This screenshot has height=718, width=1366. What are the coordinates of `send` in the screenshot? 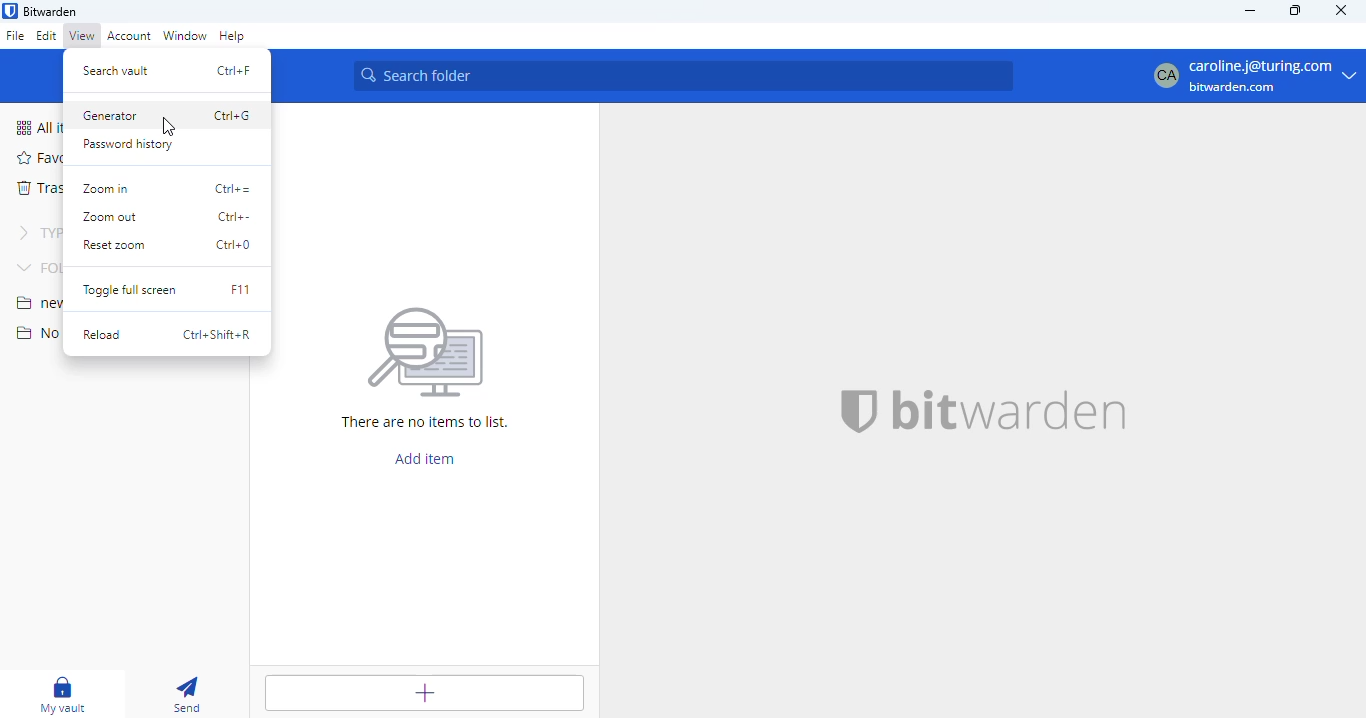 It's located at (186, 694).